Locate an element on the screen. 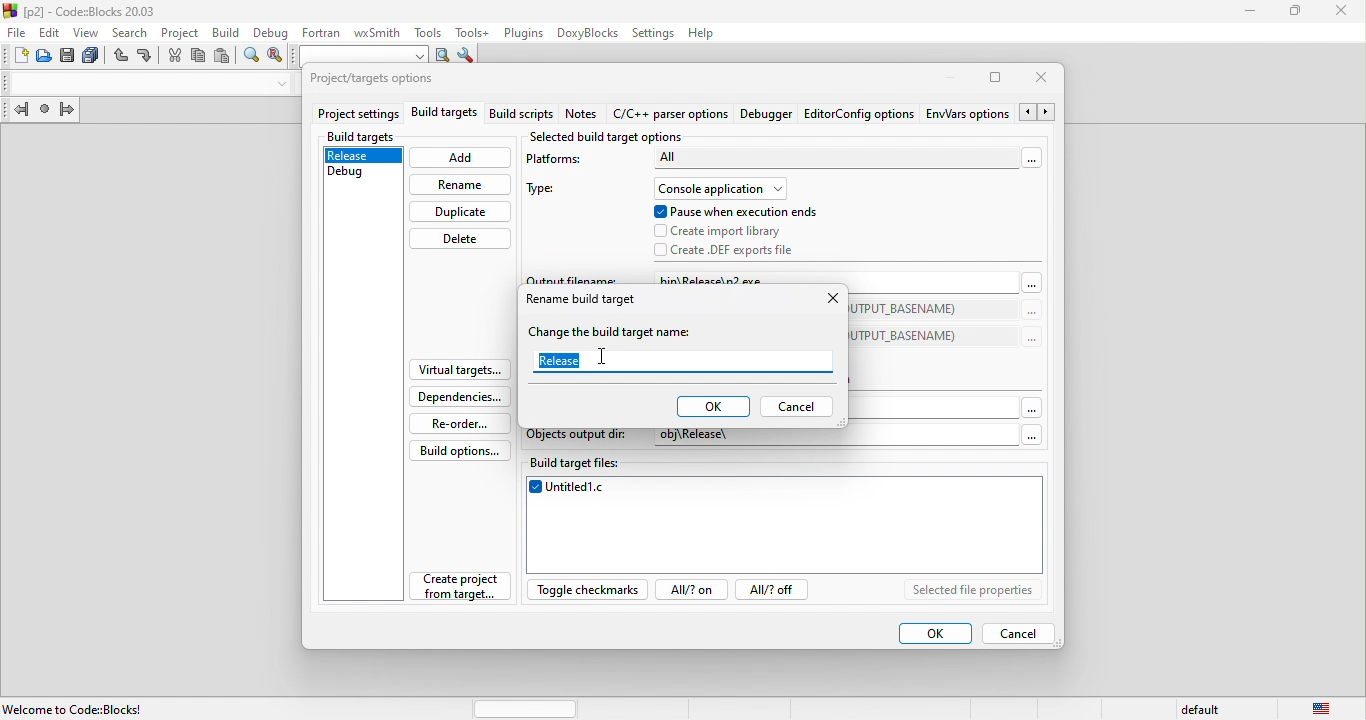 This screenshot has height=720, width=1366. help is located at coordinates (707, 33).